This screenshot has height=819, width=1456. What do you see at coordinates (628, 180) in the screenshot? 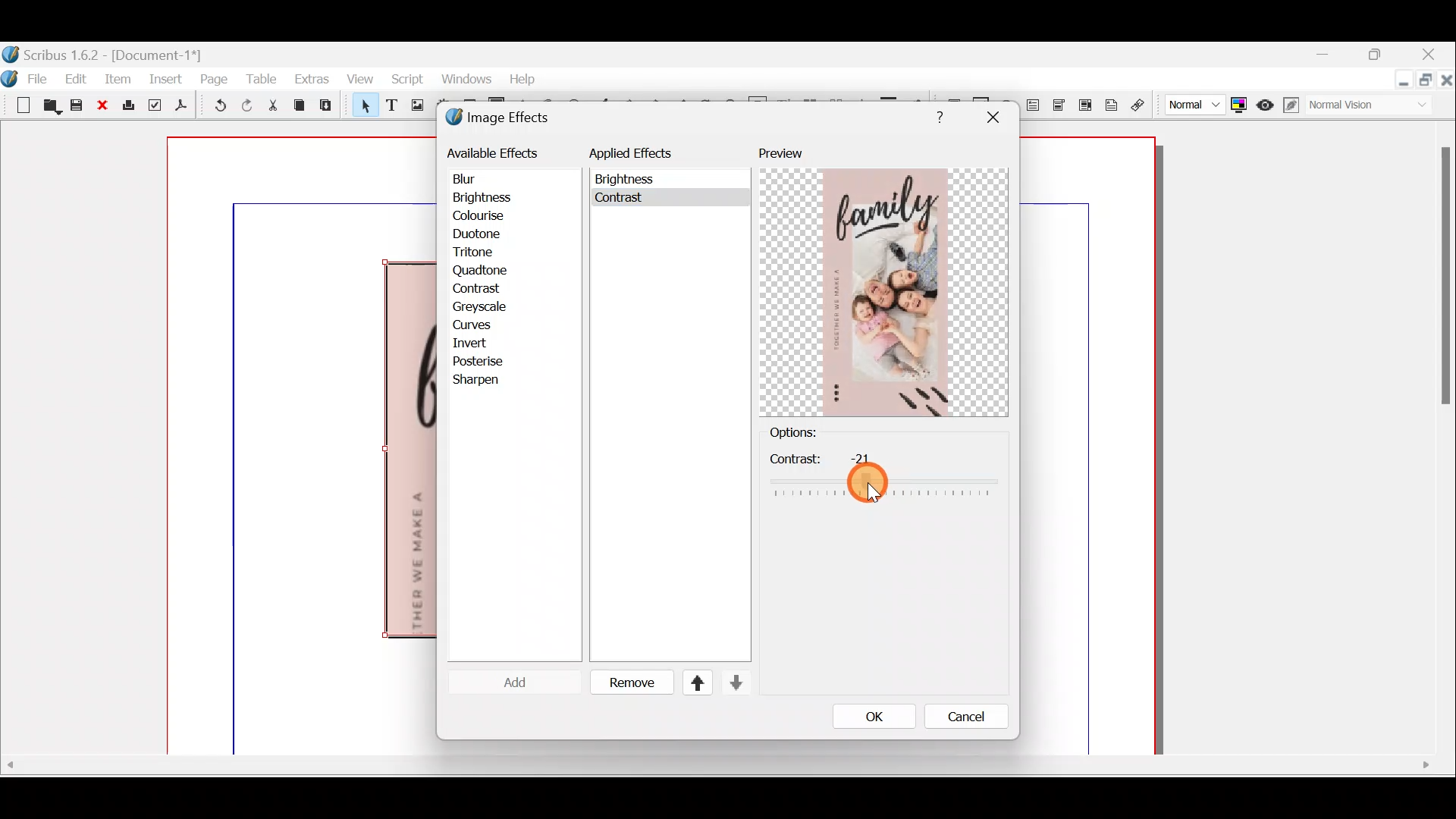
I see `` at bounding box center [628, 180].